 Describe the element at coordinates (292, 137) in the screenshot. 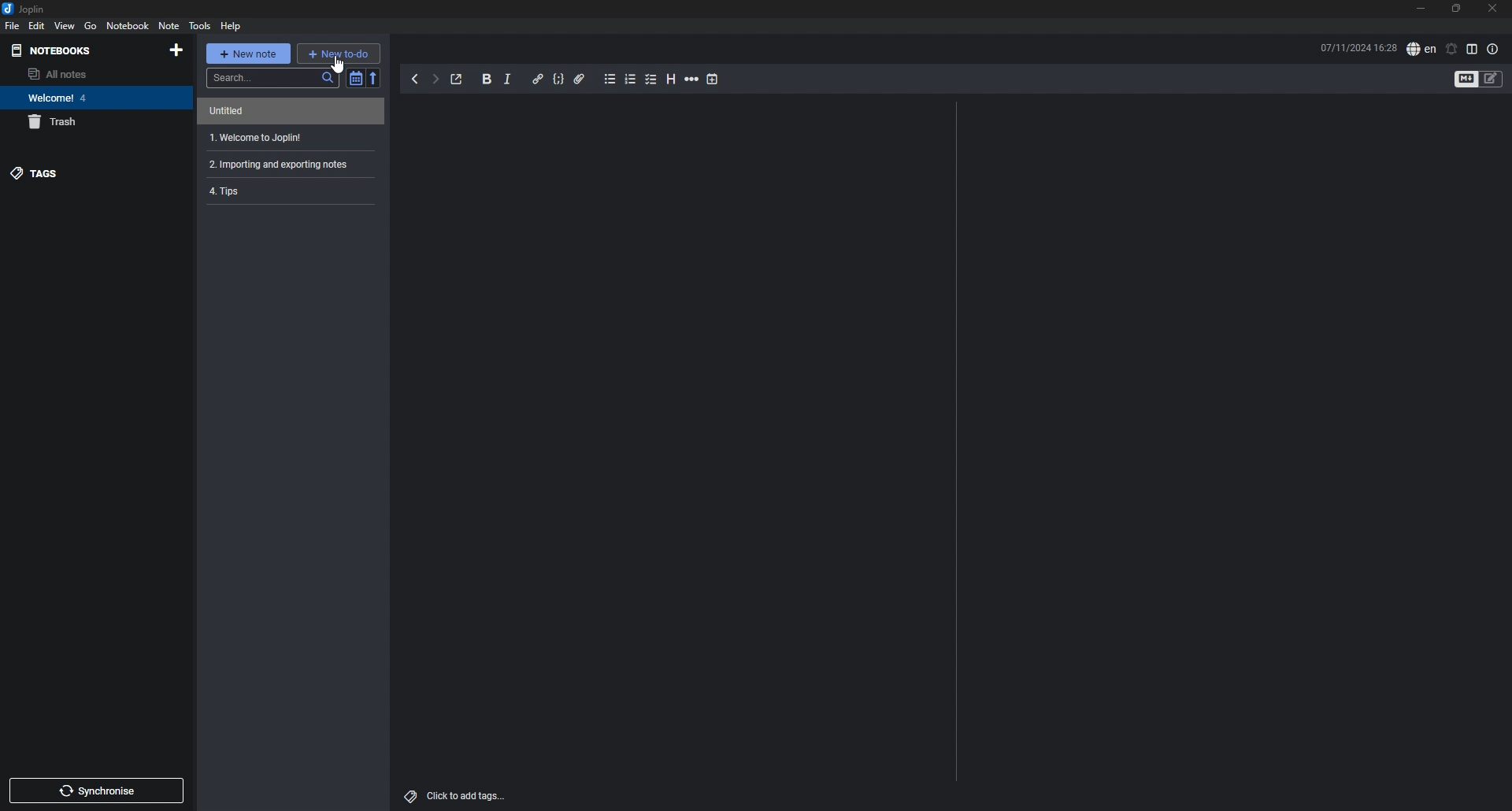

I see `note` at that location.